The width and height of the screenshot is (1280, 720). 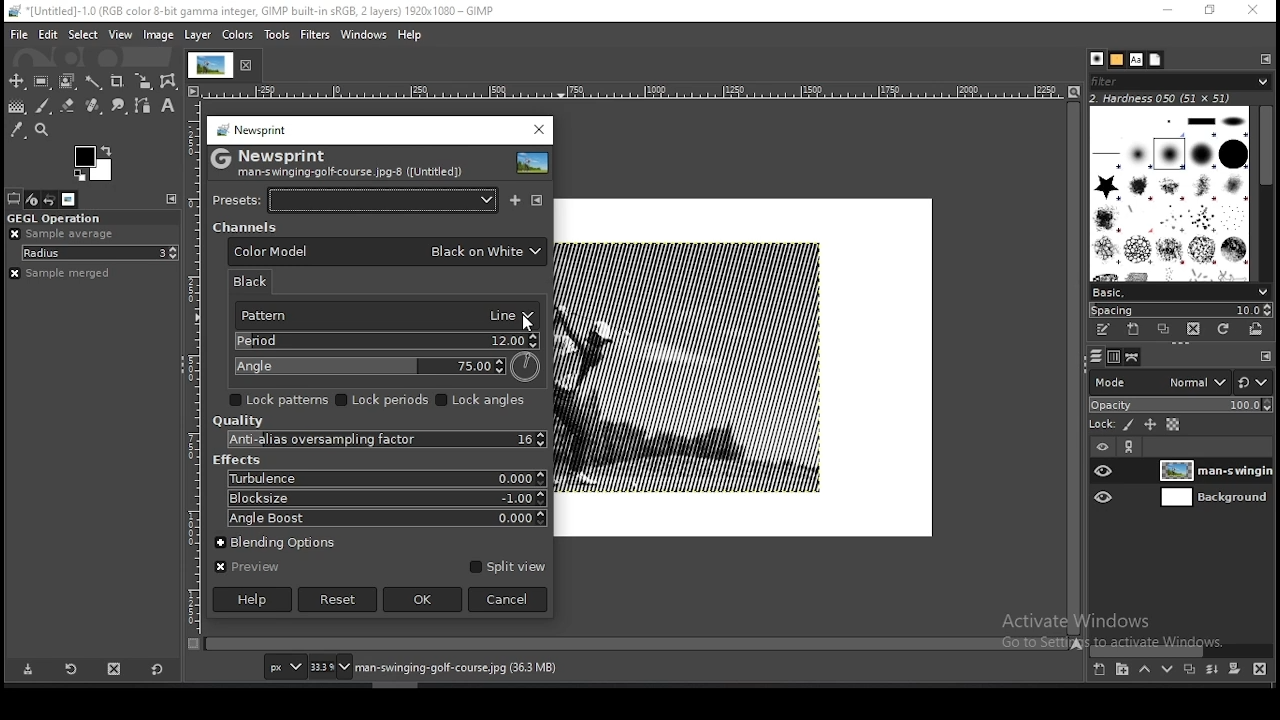 I want to click on radius, so click(x=99, y=253).